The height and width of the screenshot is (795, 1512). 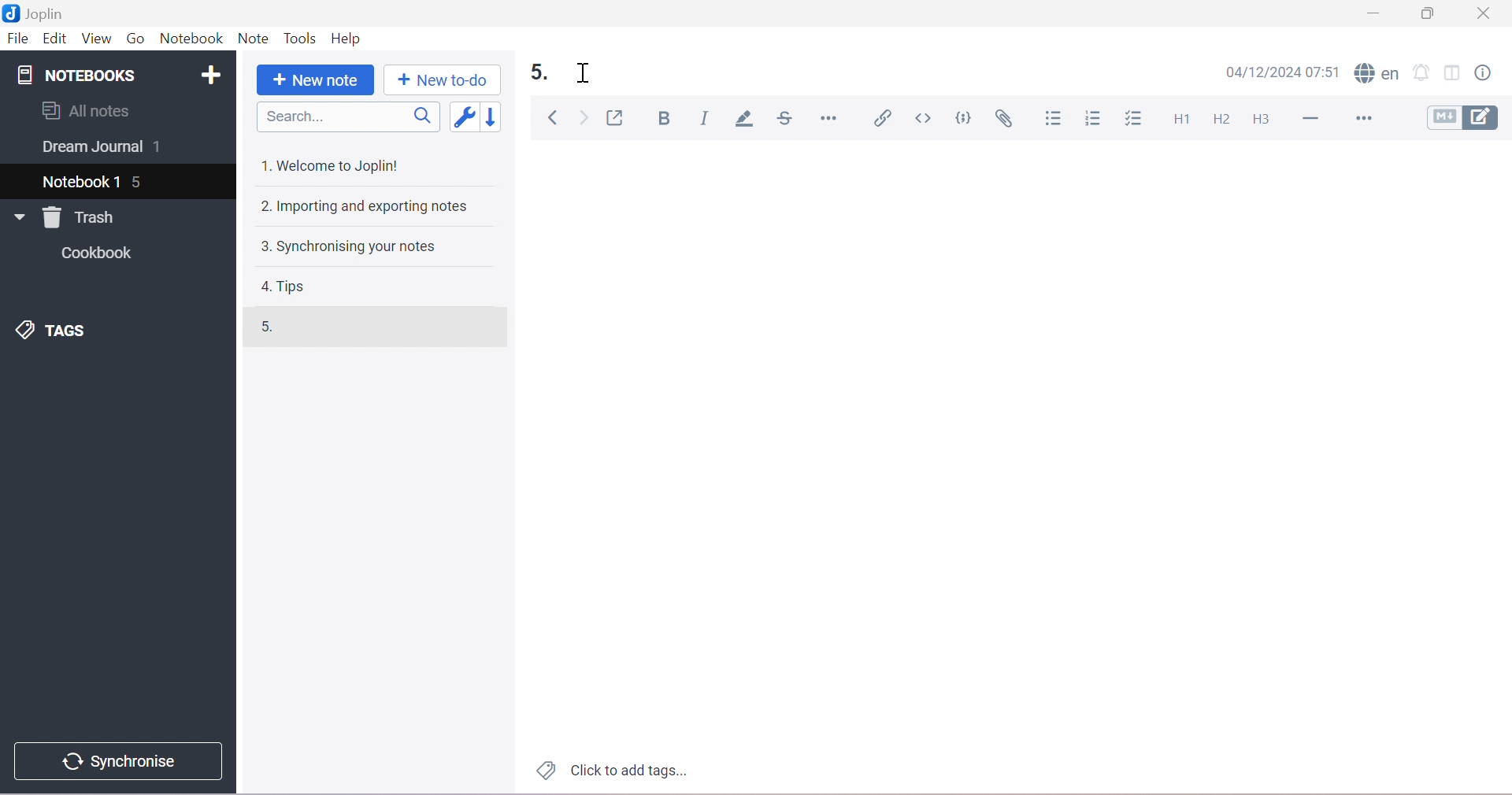 What do you see at coordinates (587, 74) in the screenshot?
I see `cursor` at bounding box center [587, 74].